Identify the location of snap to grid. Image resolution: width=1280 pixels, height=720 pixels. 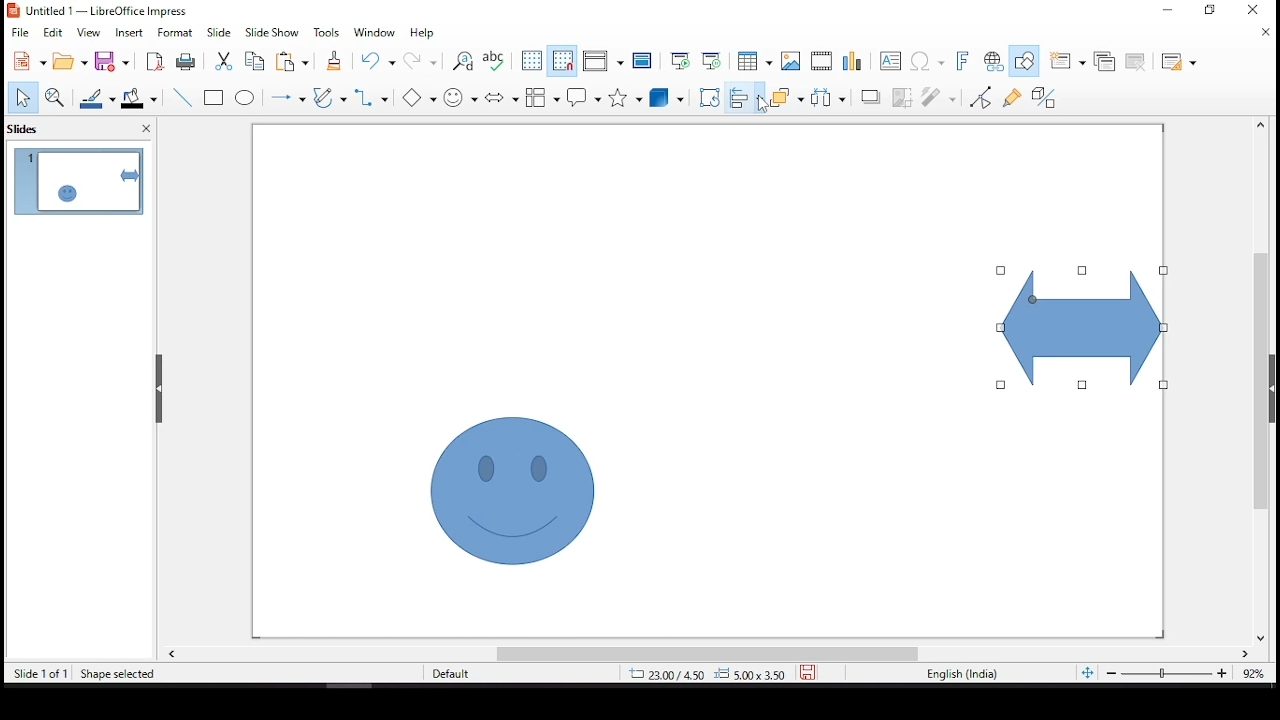
(563, 61).